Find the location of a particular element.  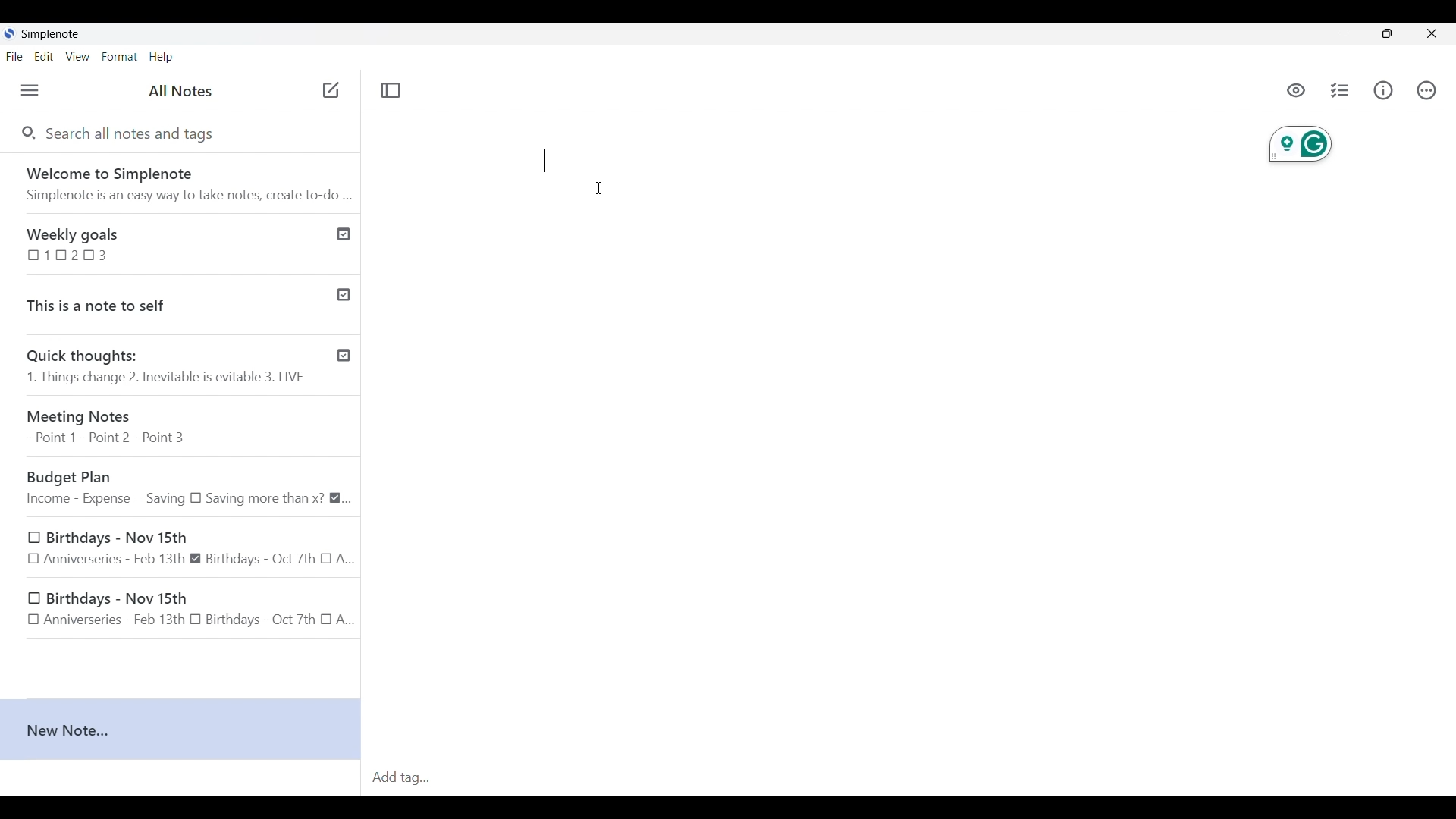

Info is located at coordinates (1383, 90).